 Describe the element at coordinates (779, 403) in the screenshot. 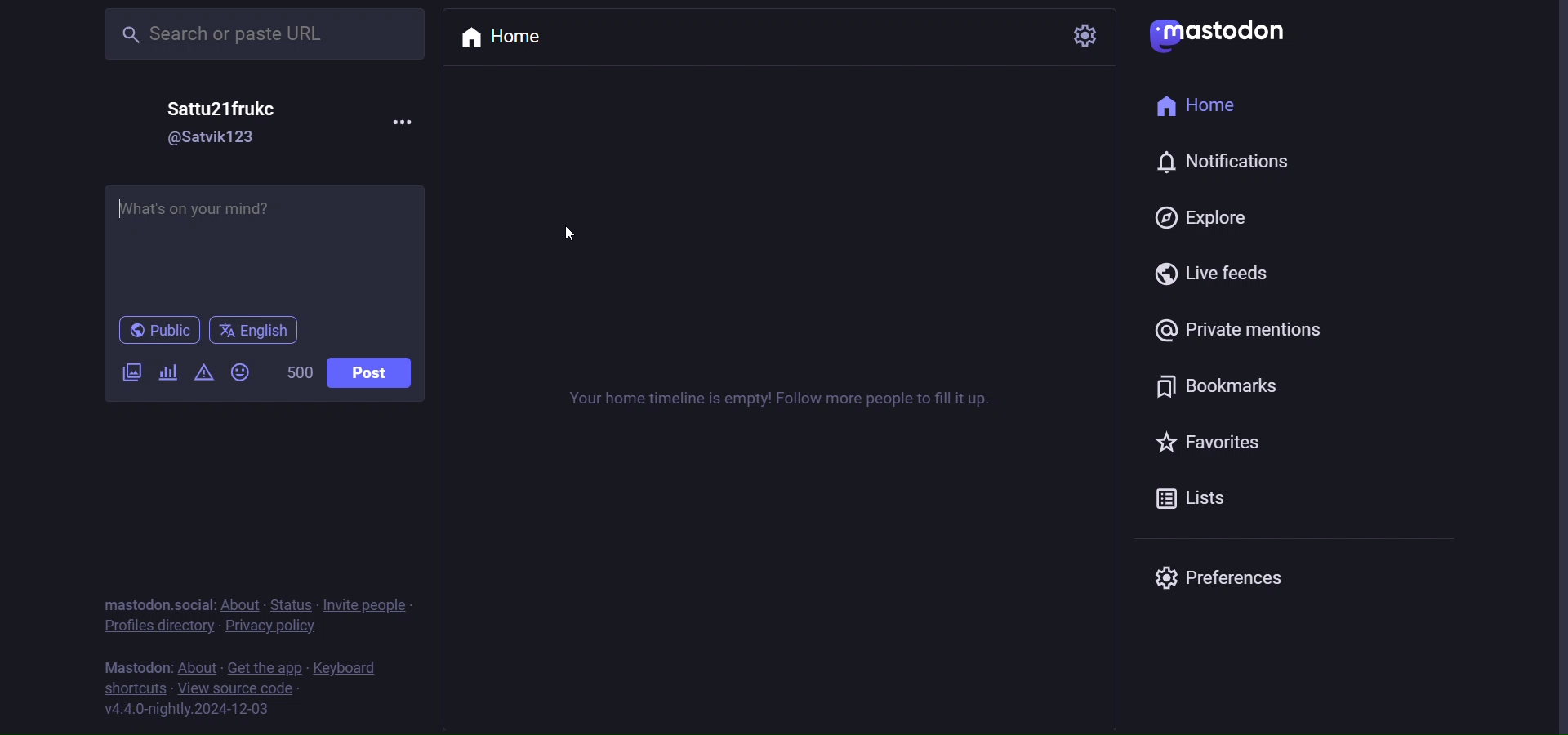

I see `text` at that location.